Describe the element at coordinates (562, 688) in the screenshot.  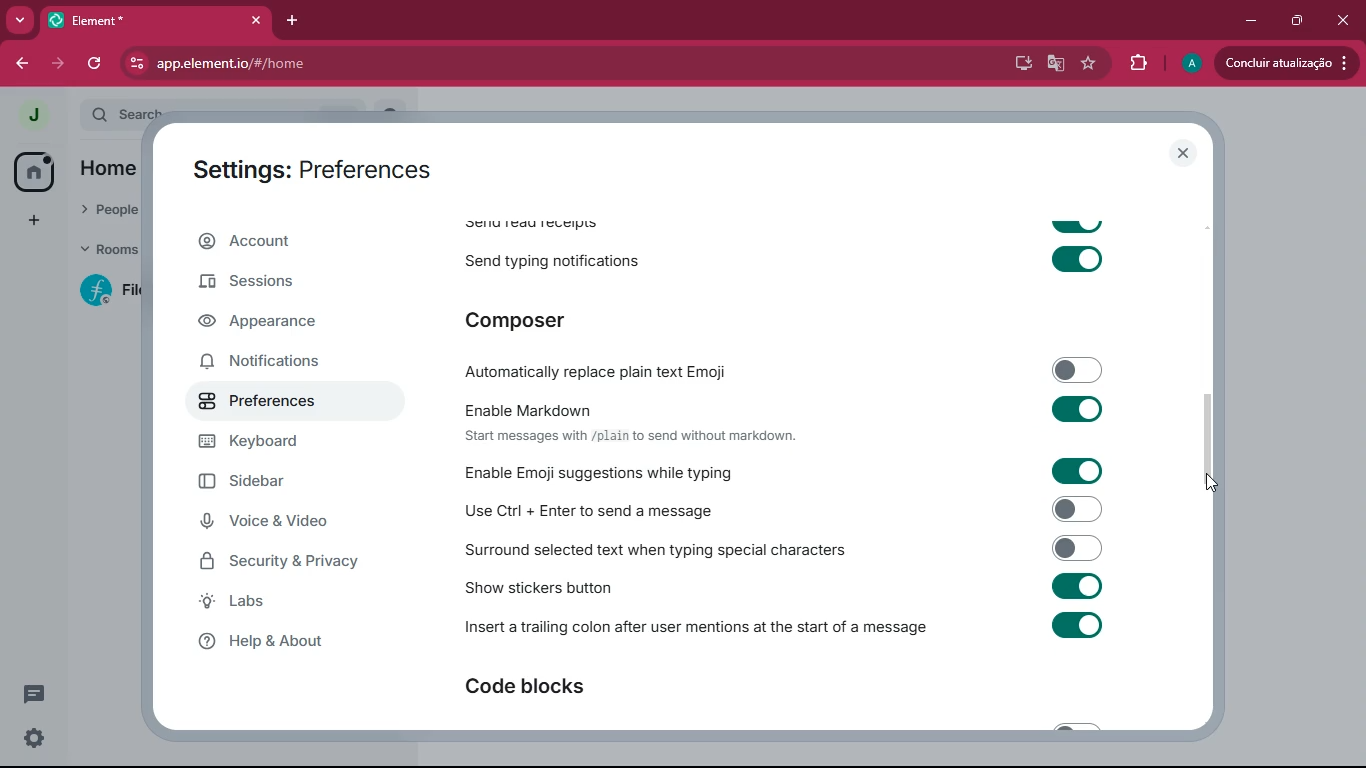
I see `code blocks` at that location.